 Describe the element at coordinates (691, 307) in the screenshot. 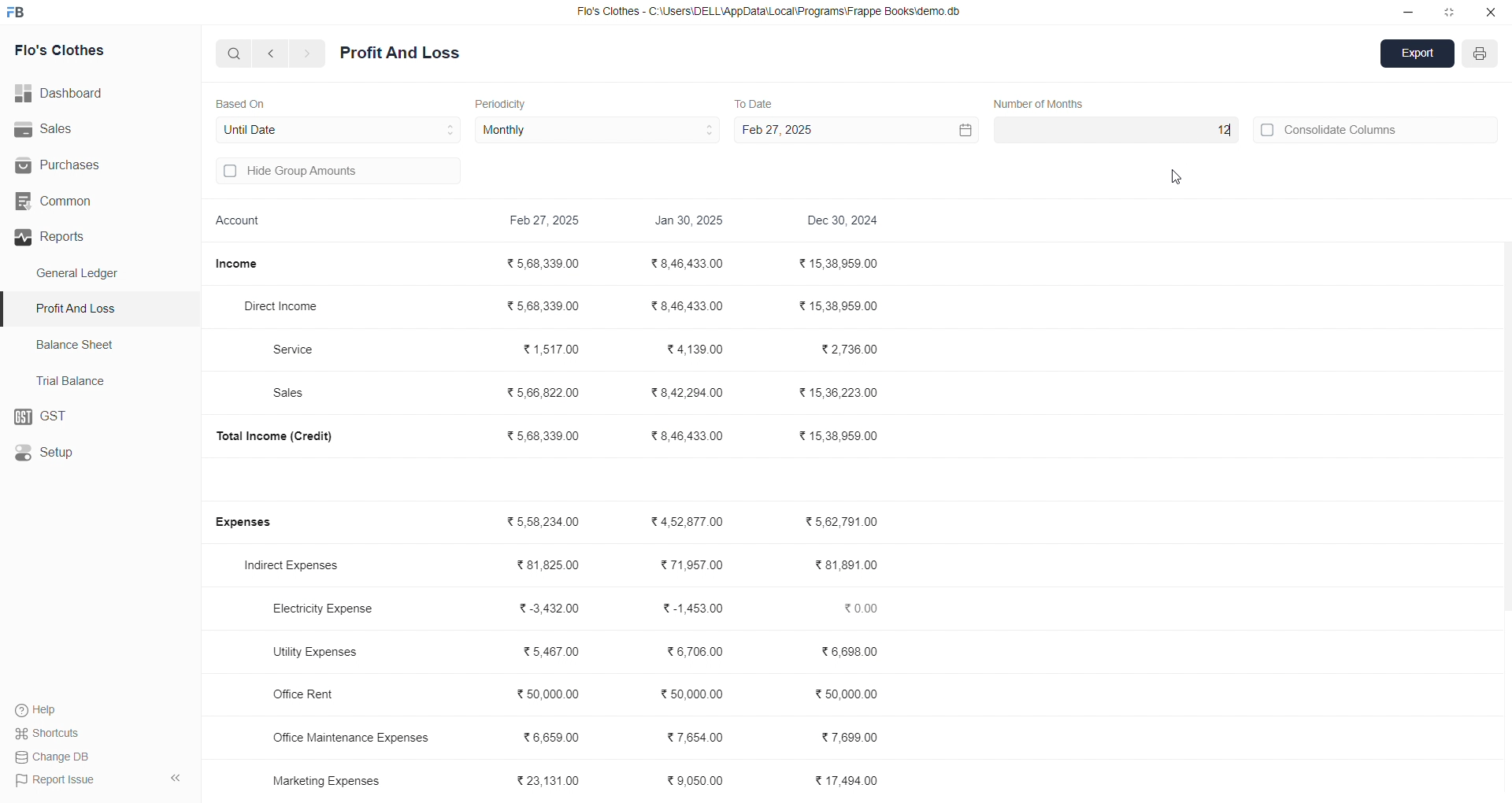

I see `₹8,46,433.00` at that location.